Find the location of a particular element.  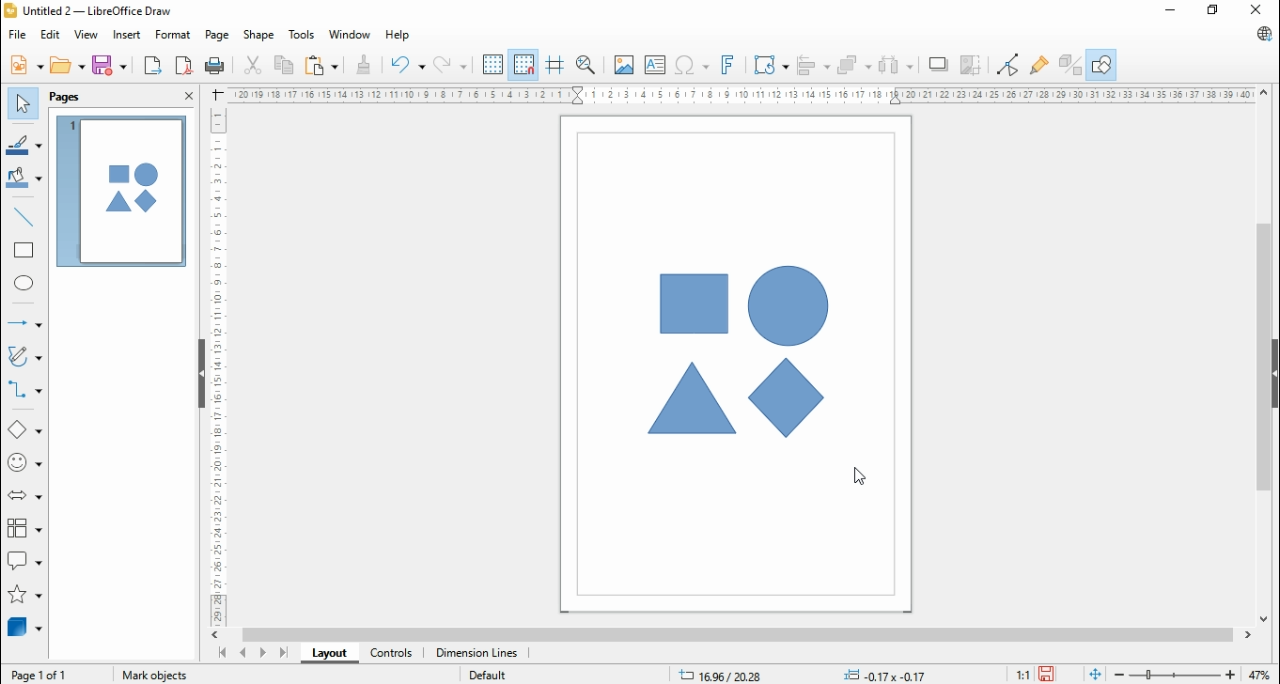

toggle extrusions is located at coordinates (1069, 63).